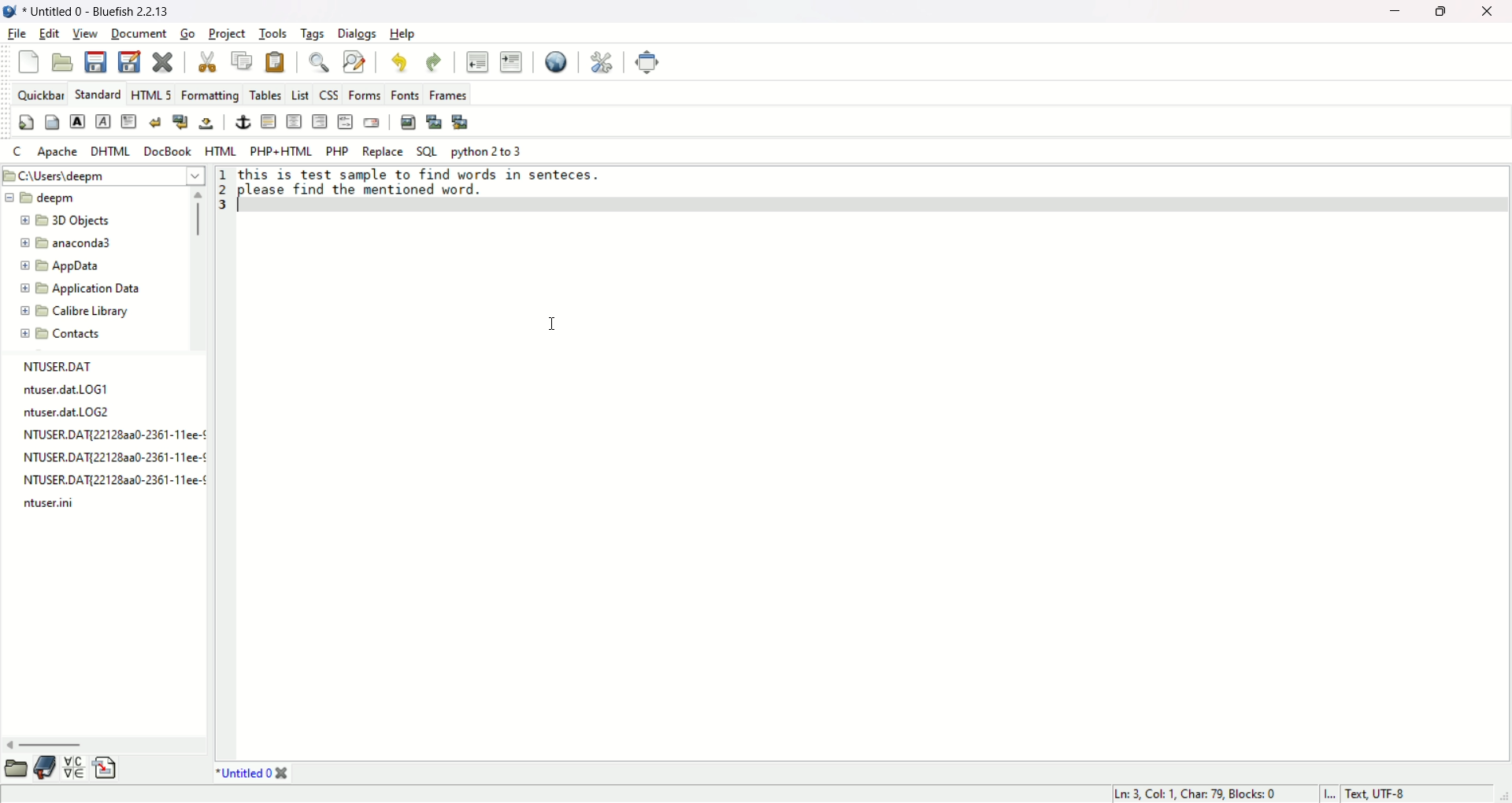  What do you see at coordinates (476, 61) in the screenshot?
I see `unindent` at bounding box center [476, 61].